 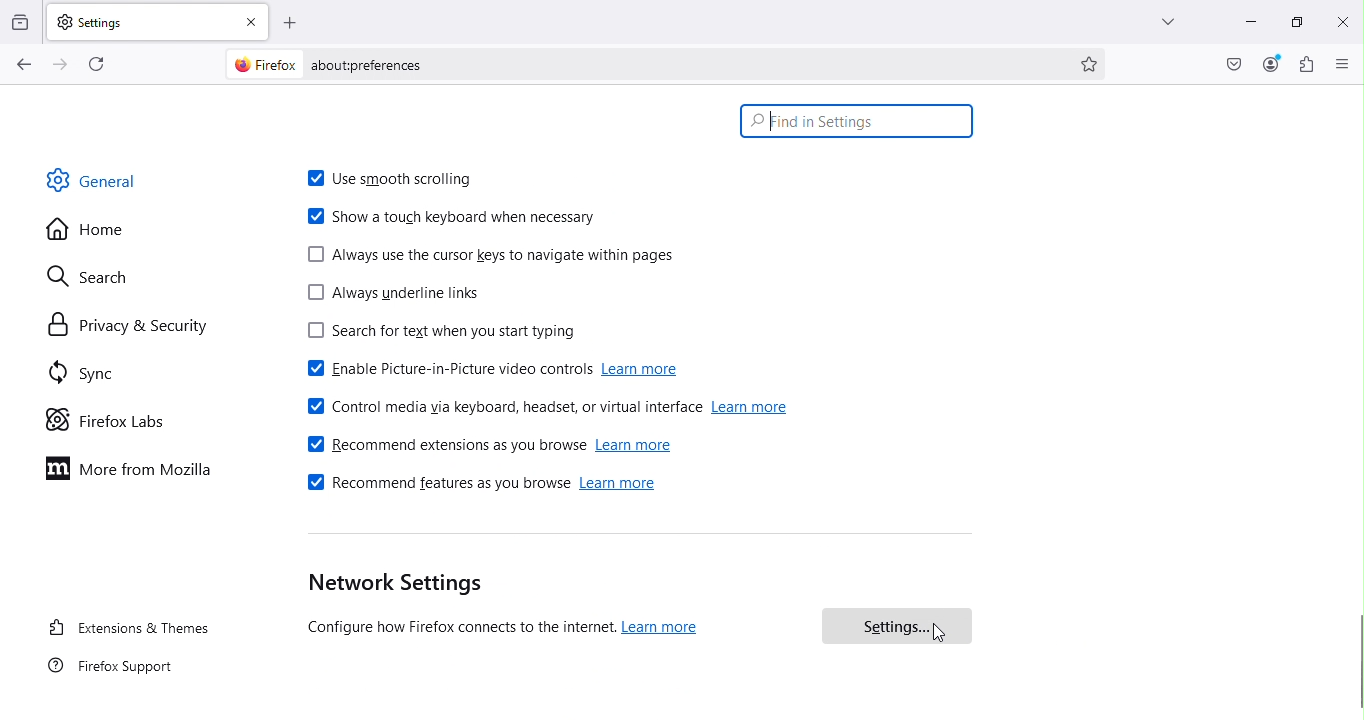 What do you see at coordinates (1355, 88) in the screenshot?
I see `move up` at bounding box center [1355, 88].